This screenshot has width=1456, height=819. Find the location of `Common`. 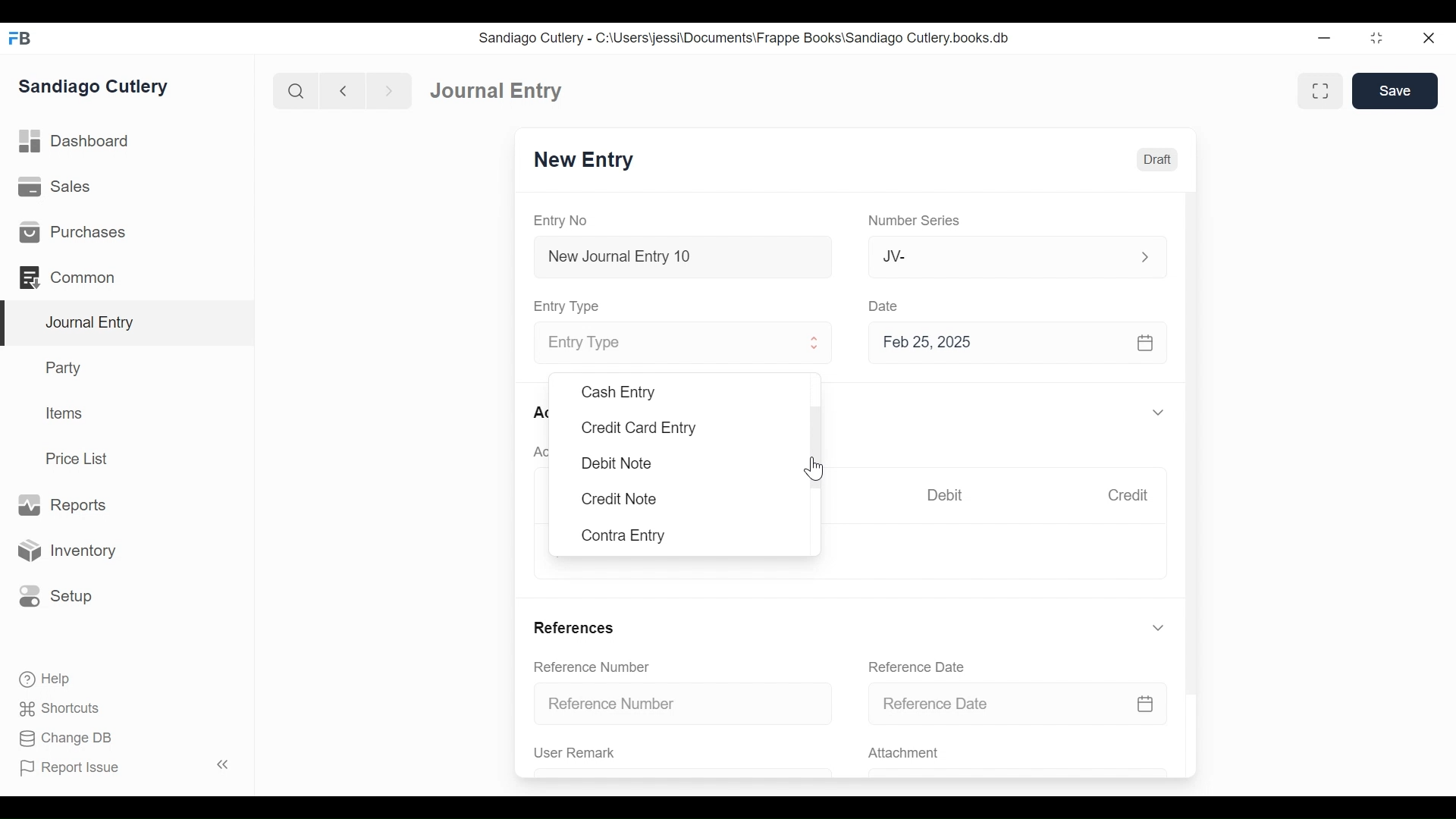

Common is located at coordinates (68, 276).